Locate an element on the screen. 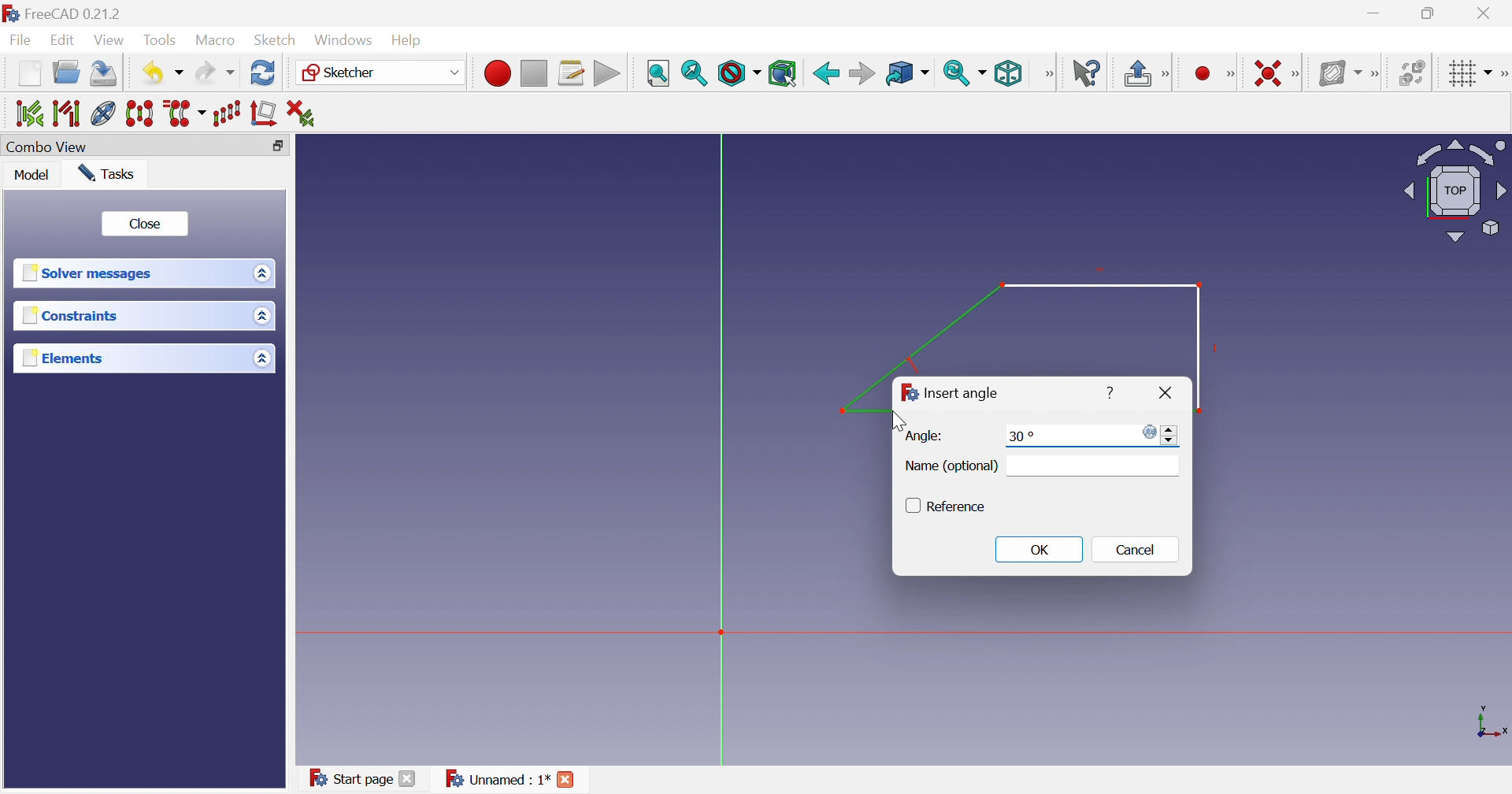 The image size is (1512, 794). View is located at coordinates (110, 40).